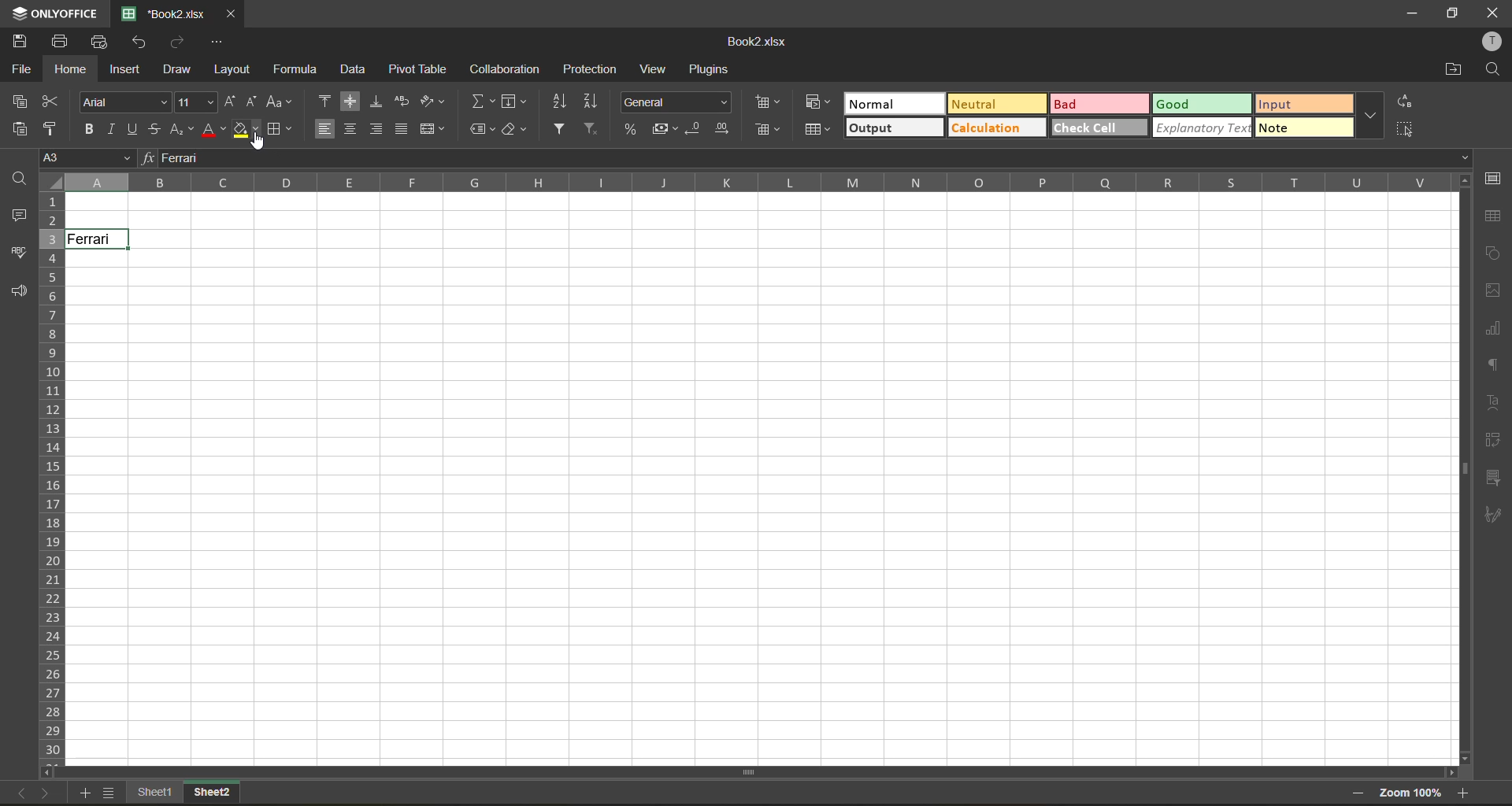 The image size is (1512, 806). What do you see at coordinates (1494, 404) in the screenshot?
I see `text` at bounding box center [1494, 404].